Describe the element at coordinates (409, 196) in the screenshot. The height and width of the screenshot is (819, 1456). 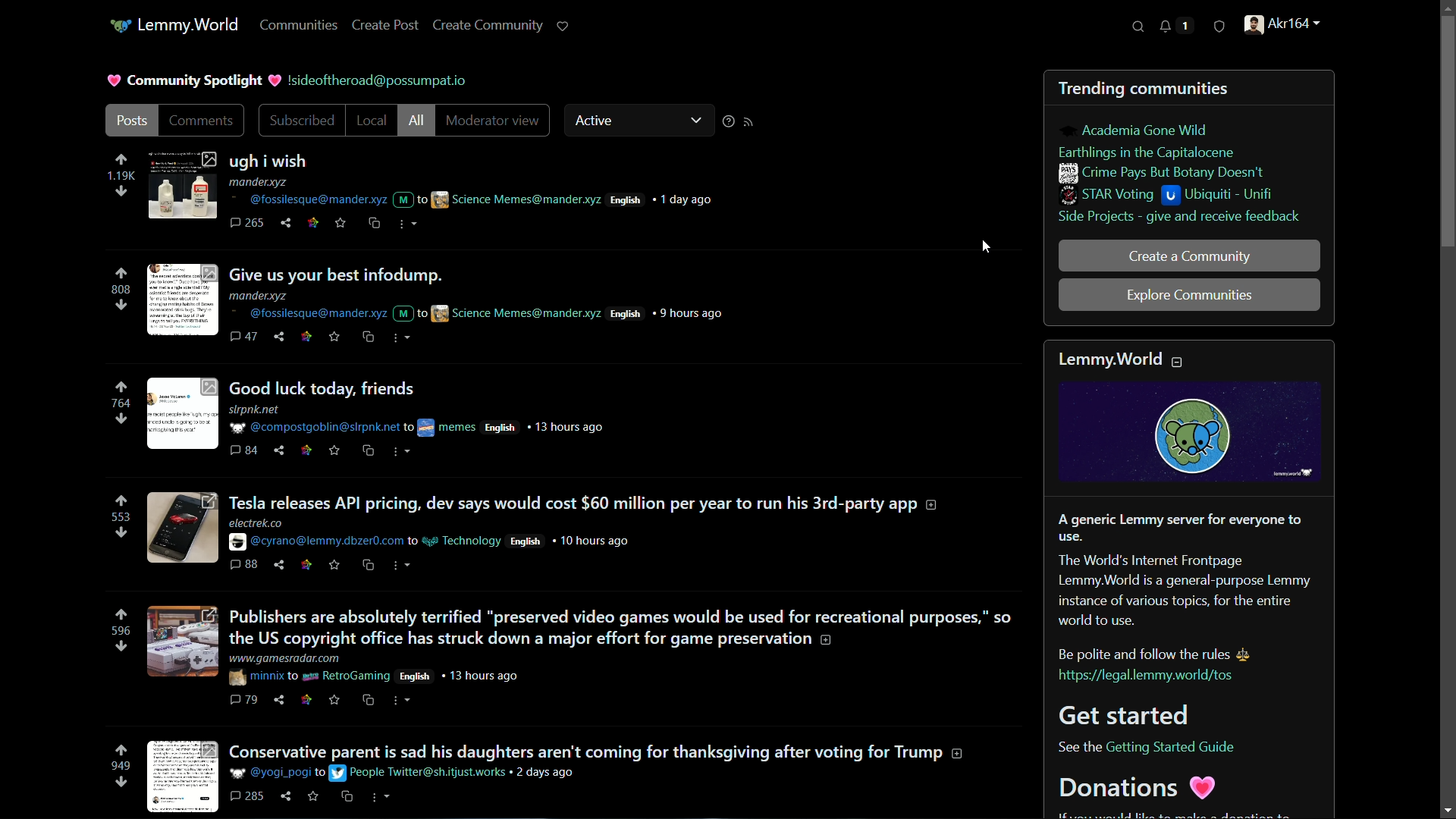
I see `M to` at that location.